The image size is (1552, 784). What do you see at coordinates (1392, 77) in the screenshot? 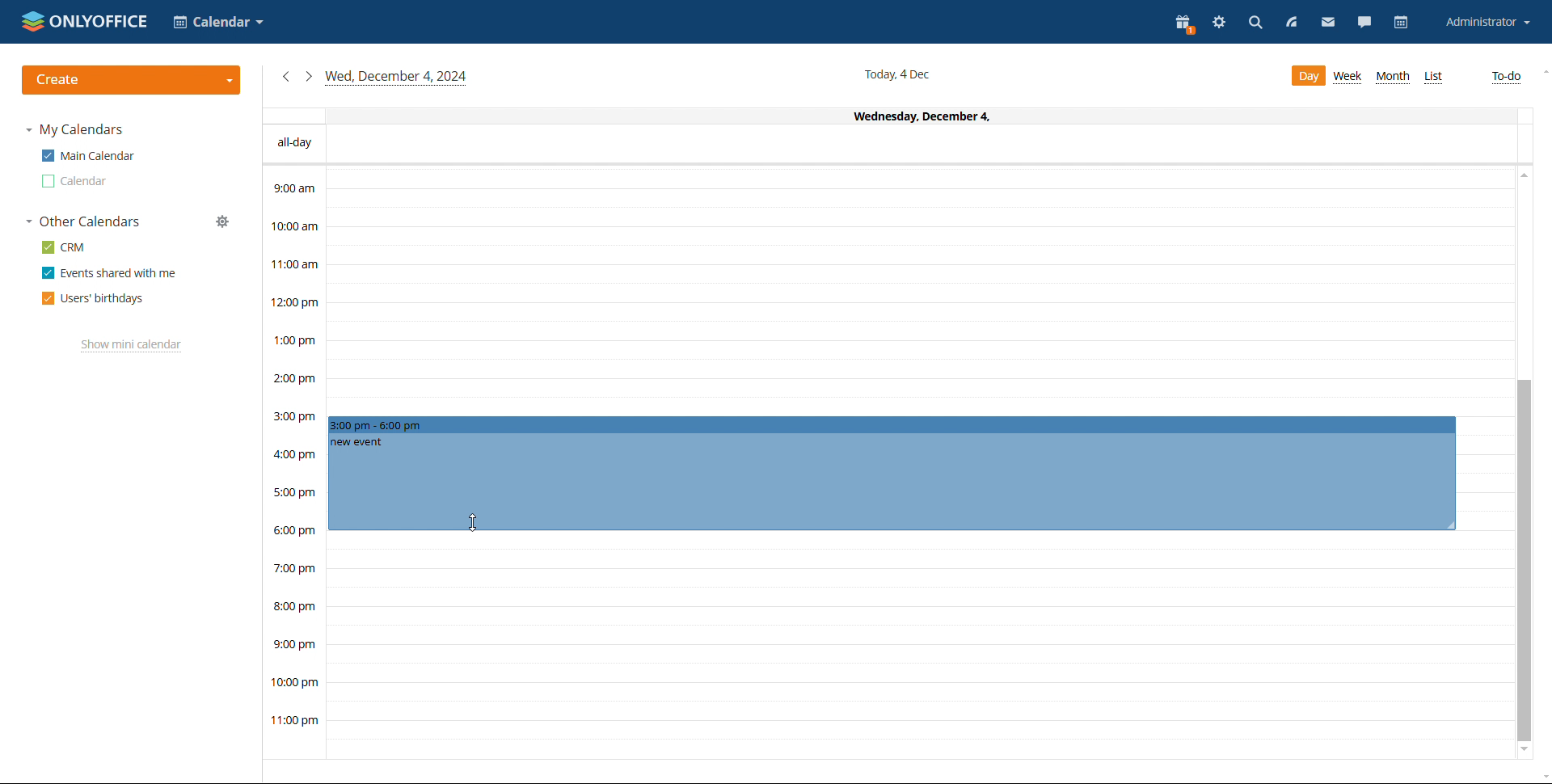
I see `month view` at bounding box center [1392, 77].